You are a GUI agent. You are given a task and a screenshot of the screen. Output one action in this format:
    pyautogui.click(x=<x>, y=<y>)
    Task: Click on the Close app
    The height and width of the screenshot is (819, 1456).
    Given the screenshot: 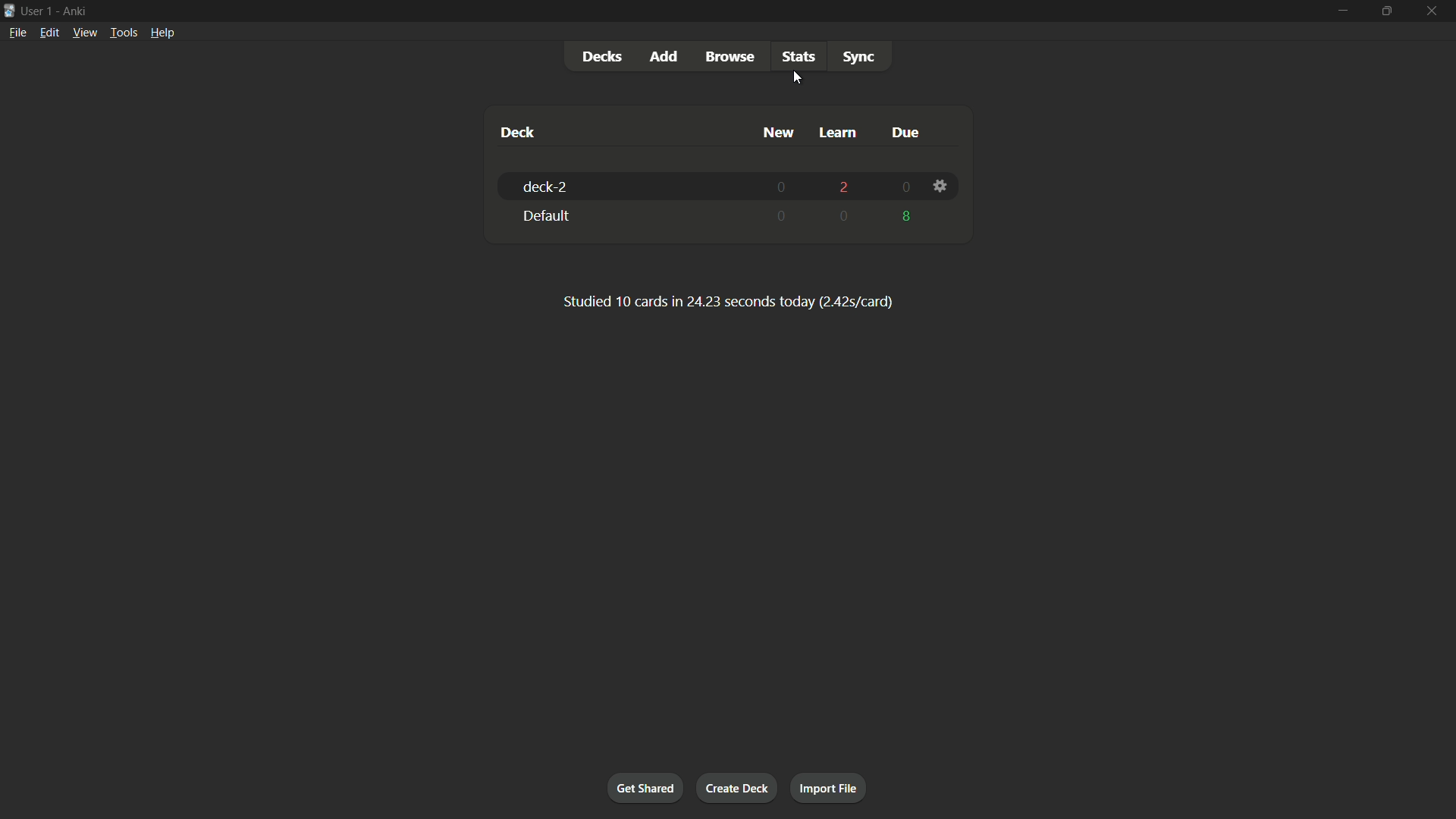 What is the action you would take?
    pyautogui.click(x=1434, y=21)
    